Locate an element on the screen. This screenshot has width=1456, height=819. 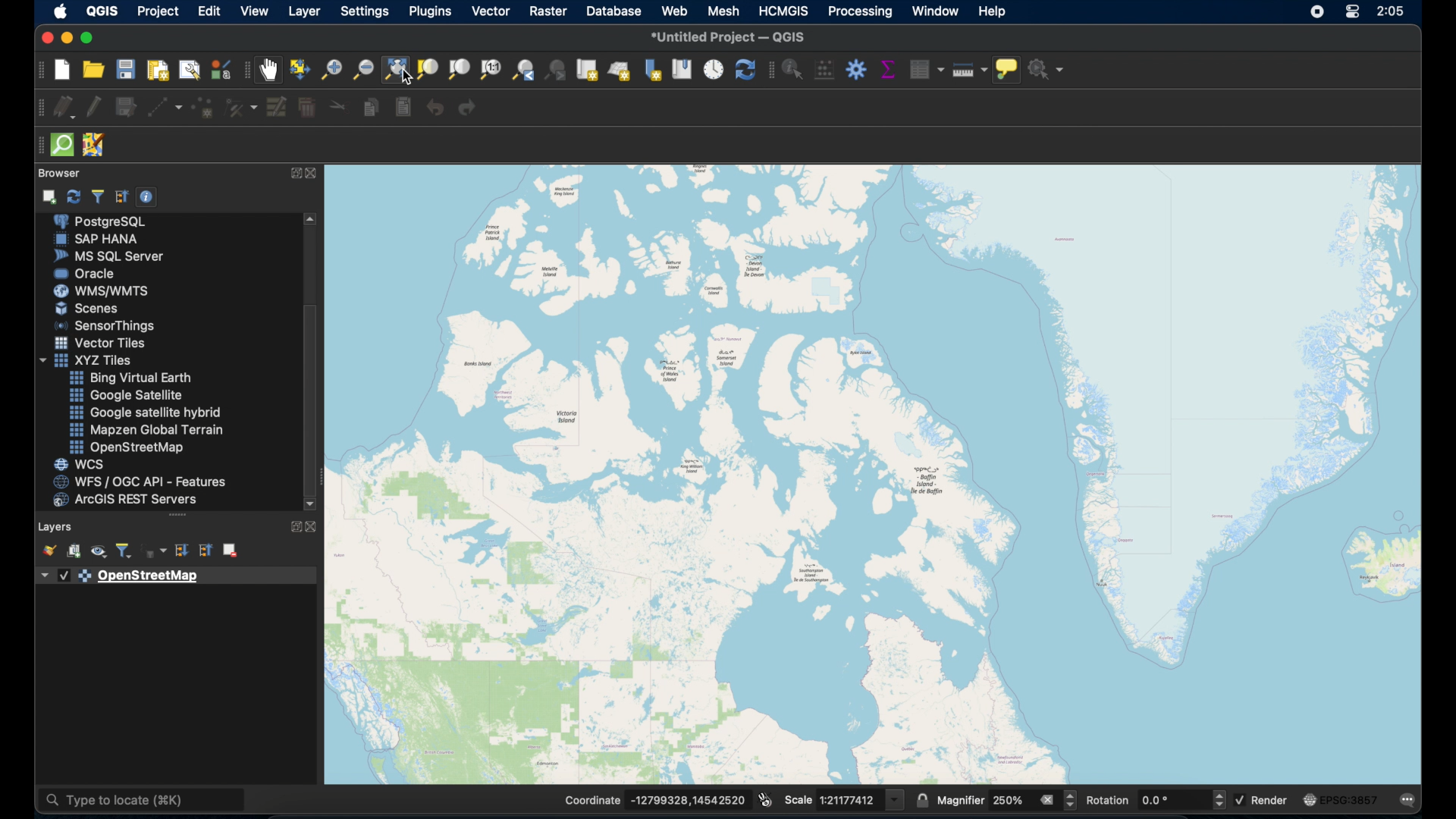
2:05 is located at coordinates (1392, 13).